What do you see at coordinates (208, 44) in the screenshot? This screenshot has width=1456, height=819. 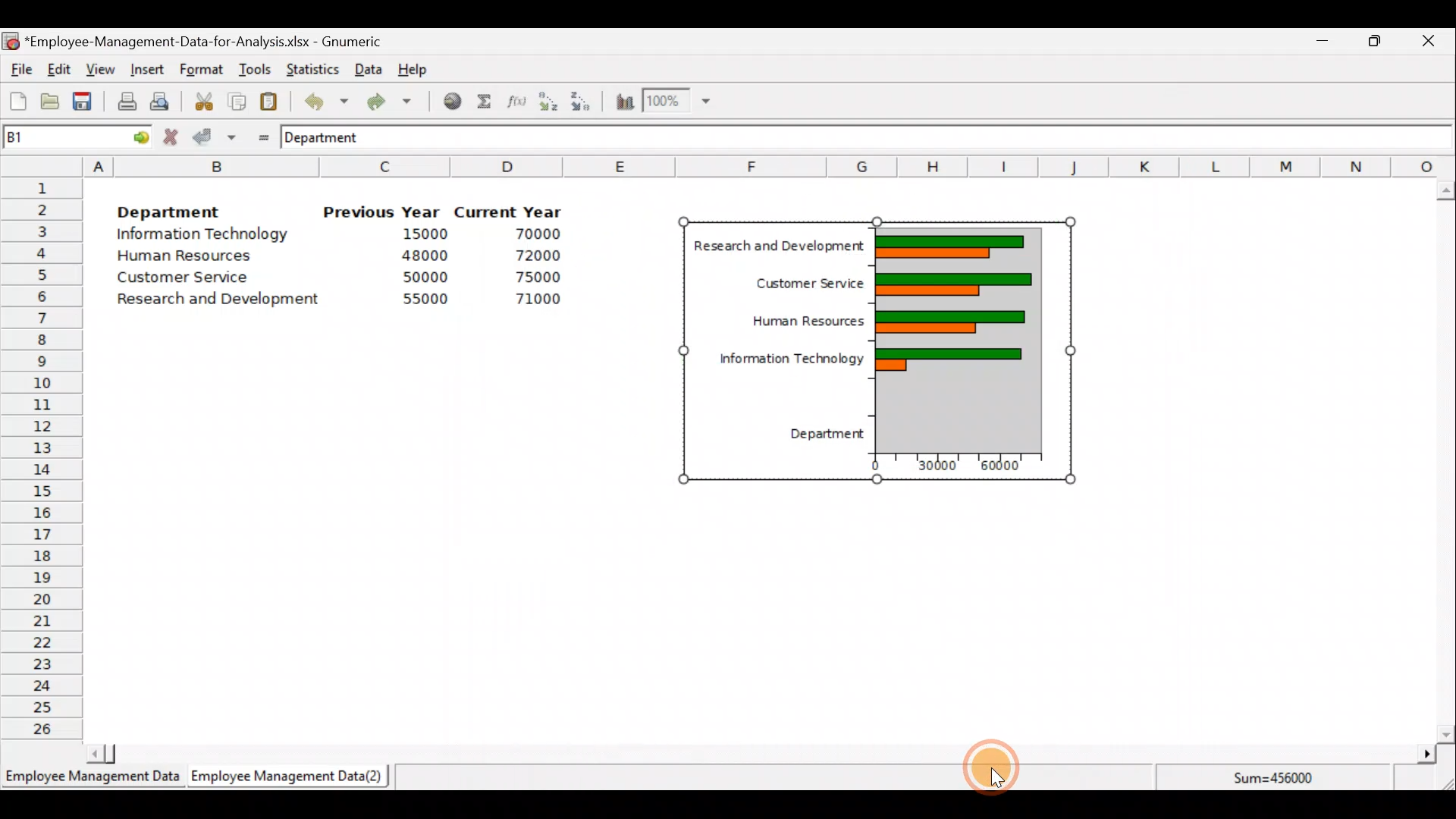 I see `‘Employee-Management-Data-for-Analysis.xlsx - Gnumeric` at bounding box center [208, 44].